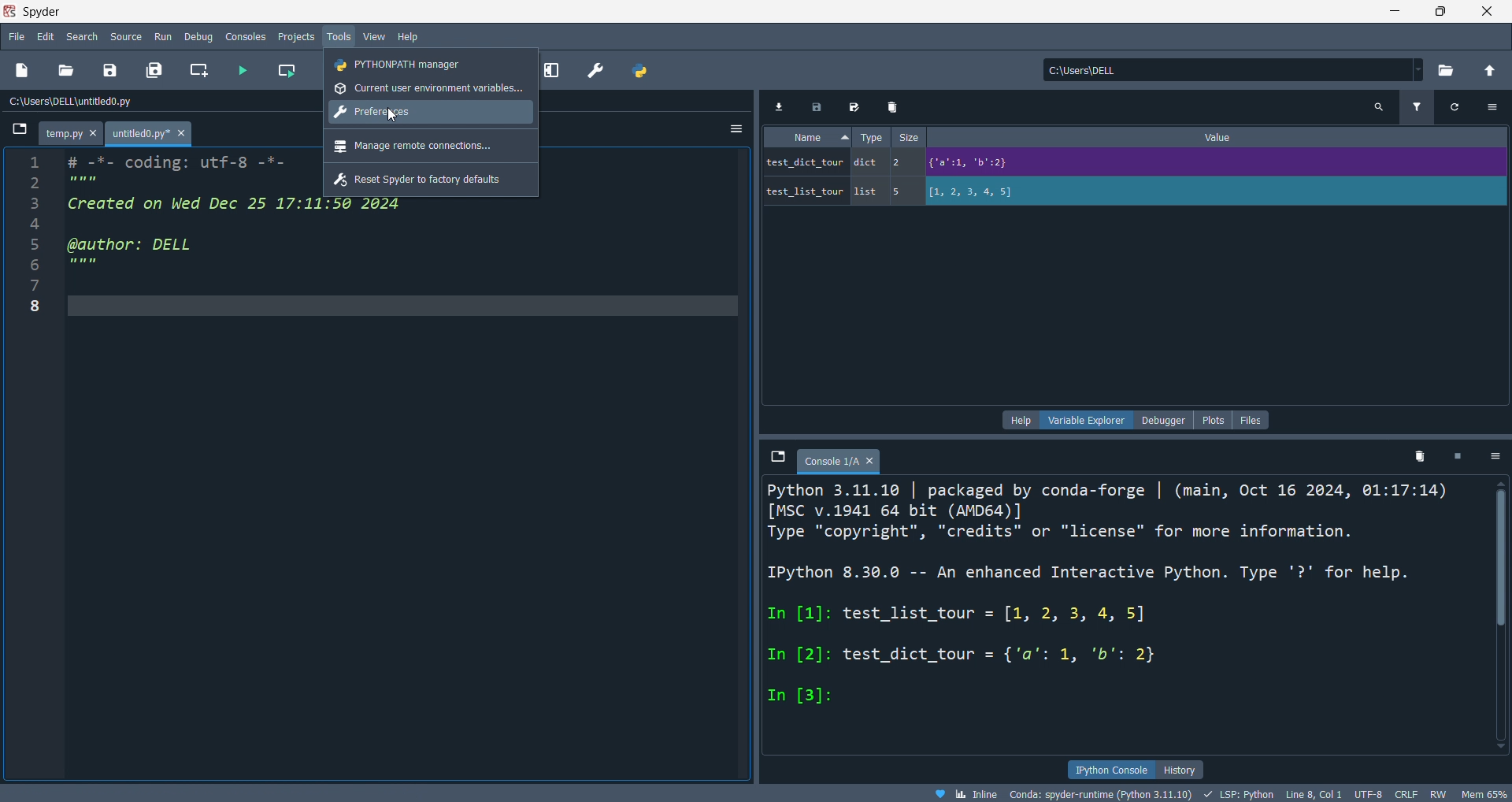 This screenshot has width=1512, height=802. I want to click on open directory, so click(1489, 71).